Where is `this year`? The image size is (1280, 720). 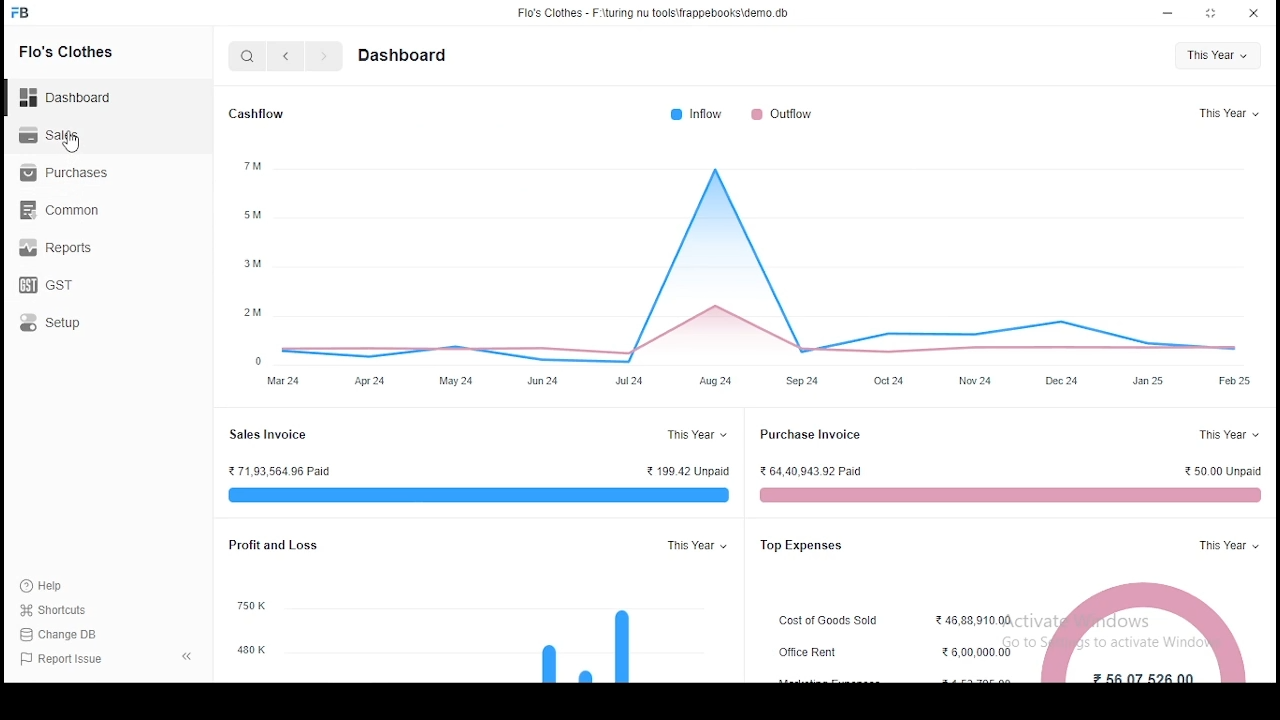
this year is located at coordinates (1228, 113).